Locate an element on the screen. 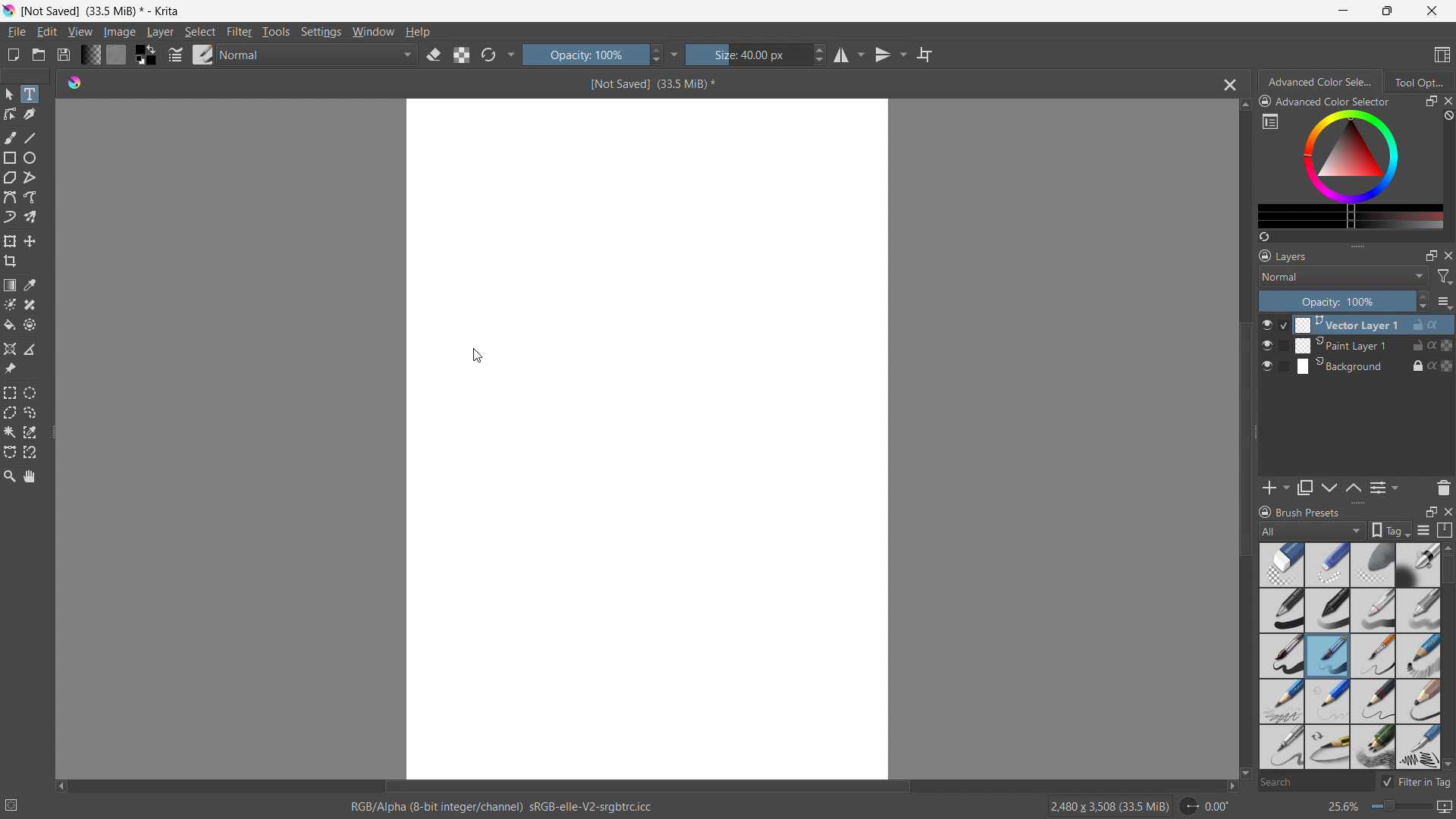  filter in tag is located at coordinates (1416, 780).